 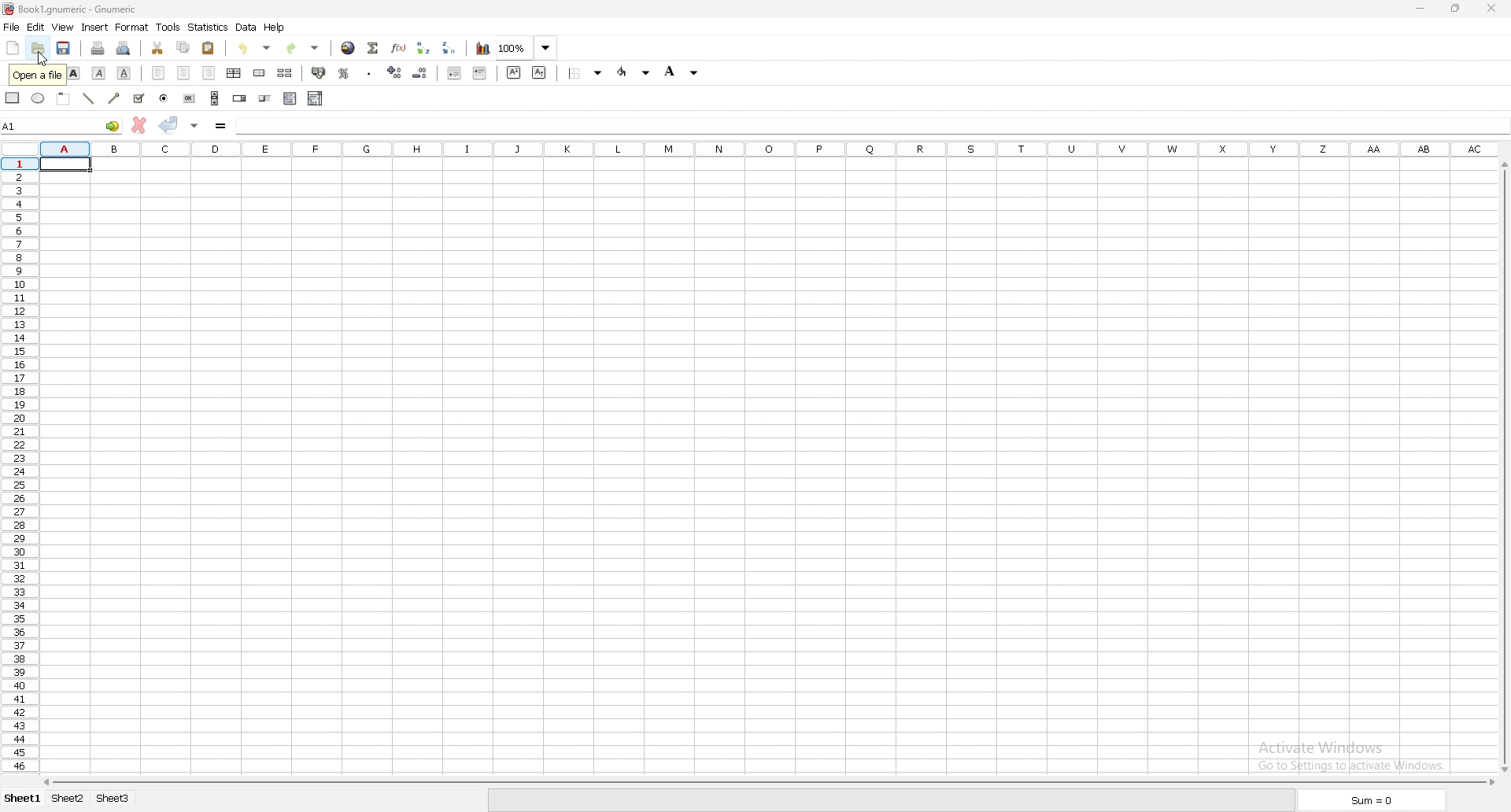 What do you see at coordinates (290, 99) in the screenshot?
I see `list` at bounding box center [290, 99].